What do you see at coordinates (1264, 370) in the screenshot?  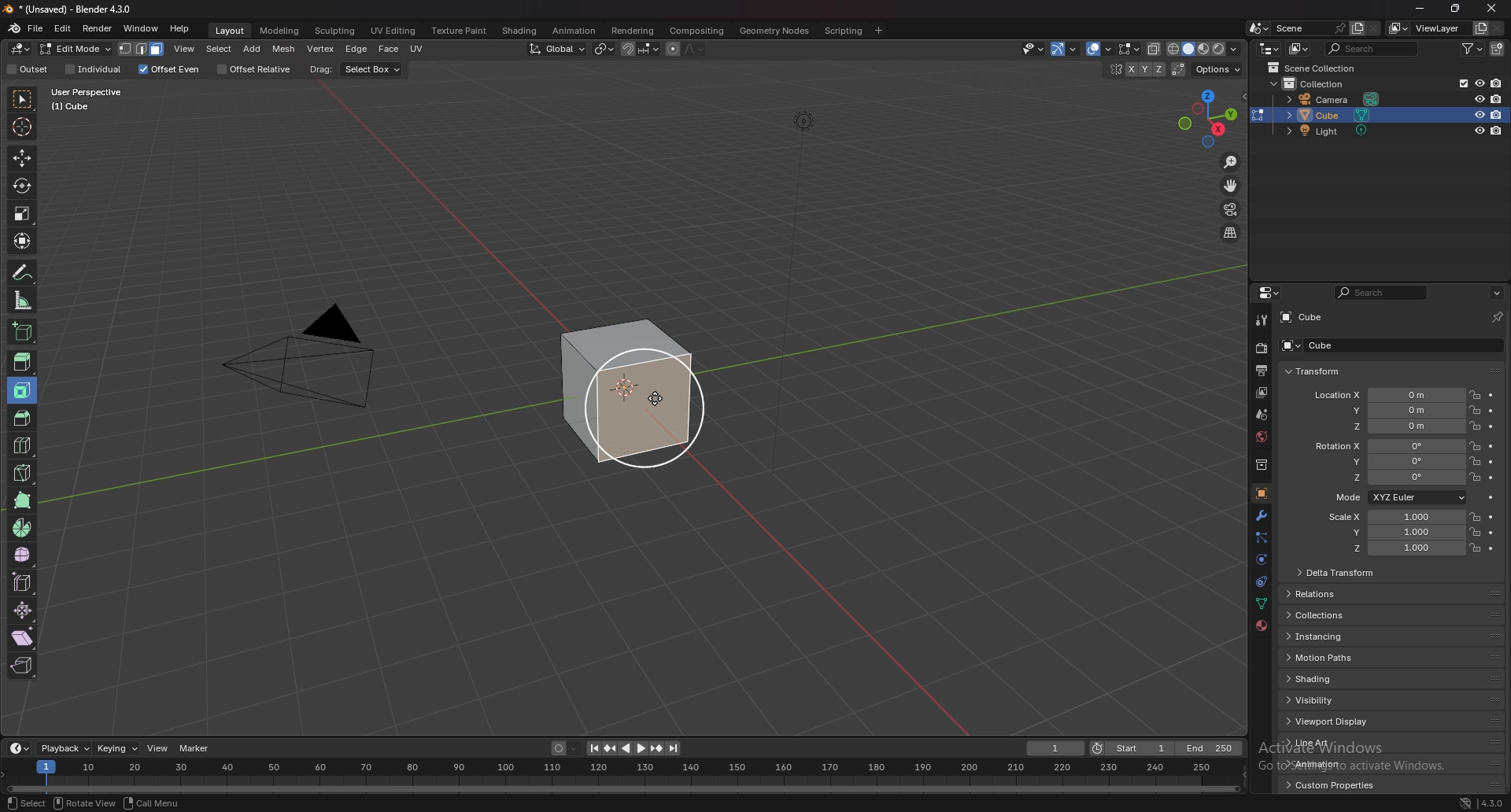 I see `output` at bounding box center [1264, 370].